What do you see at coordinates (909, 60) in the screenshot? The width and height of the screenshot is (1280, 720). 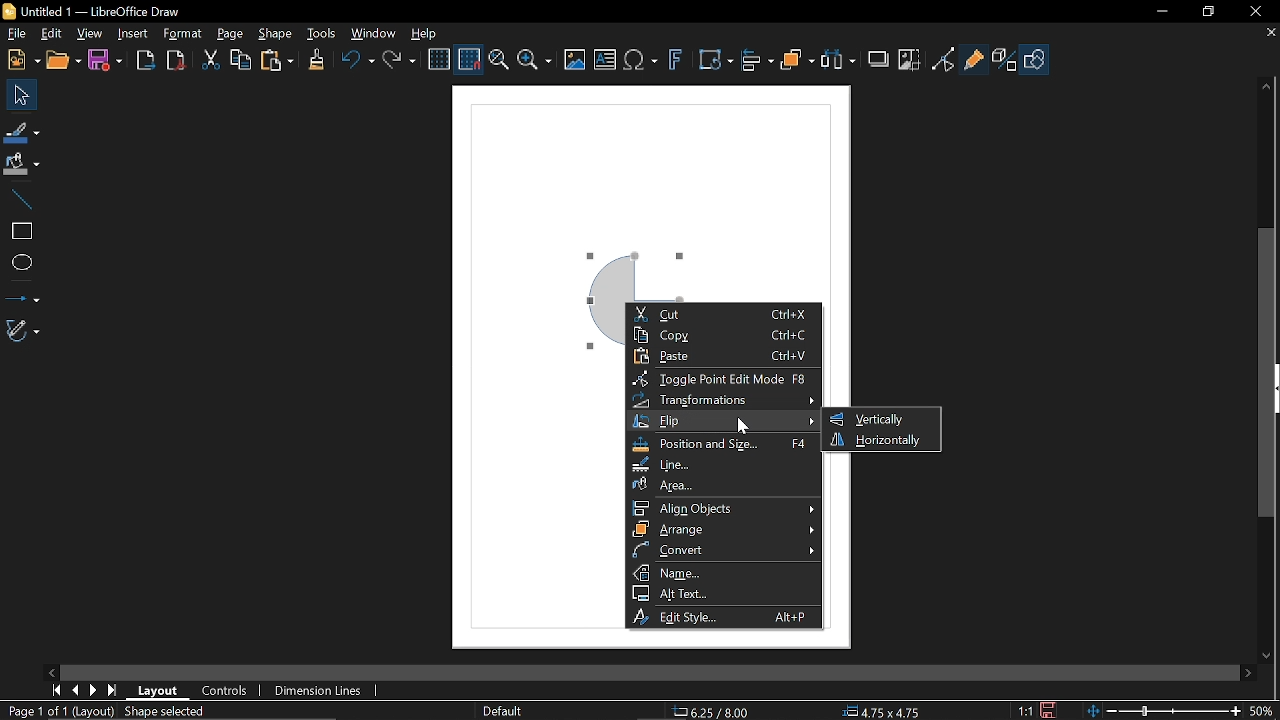 I see `Crop` at bounding box center [909, 60].